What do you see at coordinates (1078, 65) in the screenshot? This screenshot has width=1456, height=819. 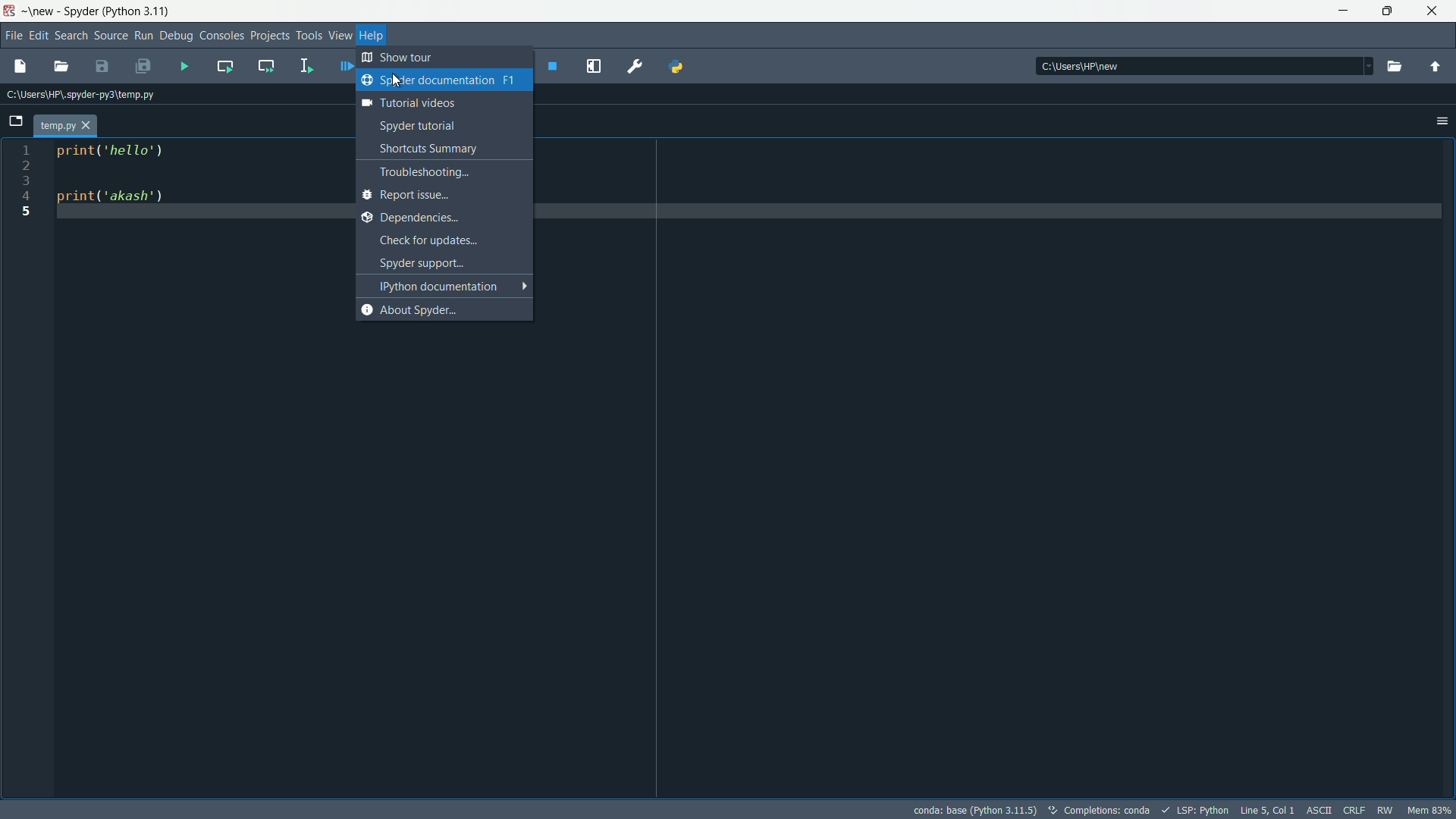 I see `C:\Users\HP\new` at bounding box center [1078, 65].